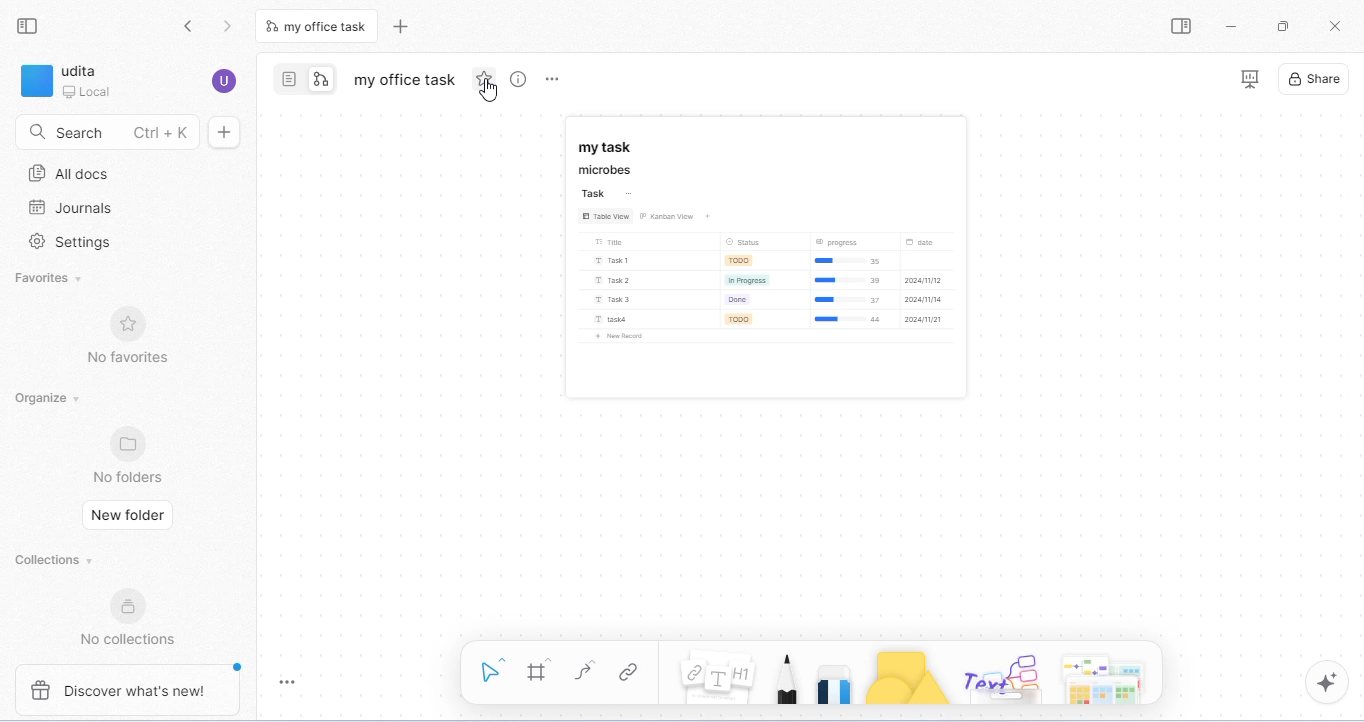 Image resolution: width=1364 pixels, height=722 pixels. Describe the element at coordinates (1109, 675) in the screenshot. I see `arrows and more` at that location.